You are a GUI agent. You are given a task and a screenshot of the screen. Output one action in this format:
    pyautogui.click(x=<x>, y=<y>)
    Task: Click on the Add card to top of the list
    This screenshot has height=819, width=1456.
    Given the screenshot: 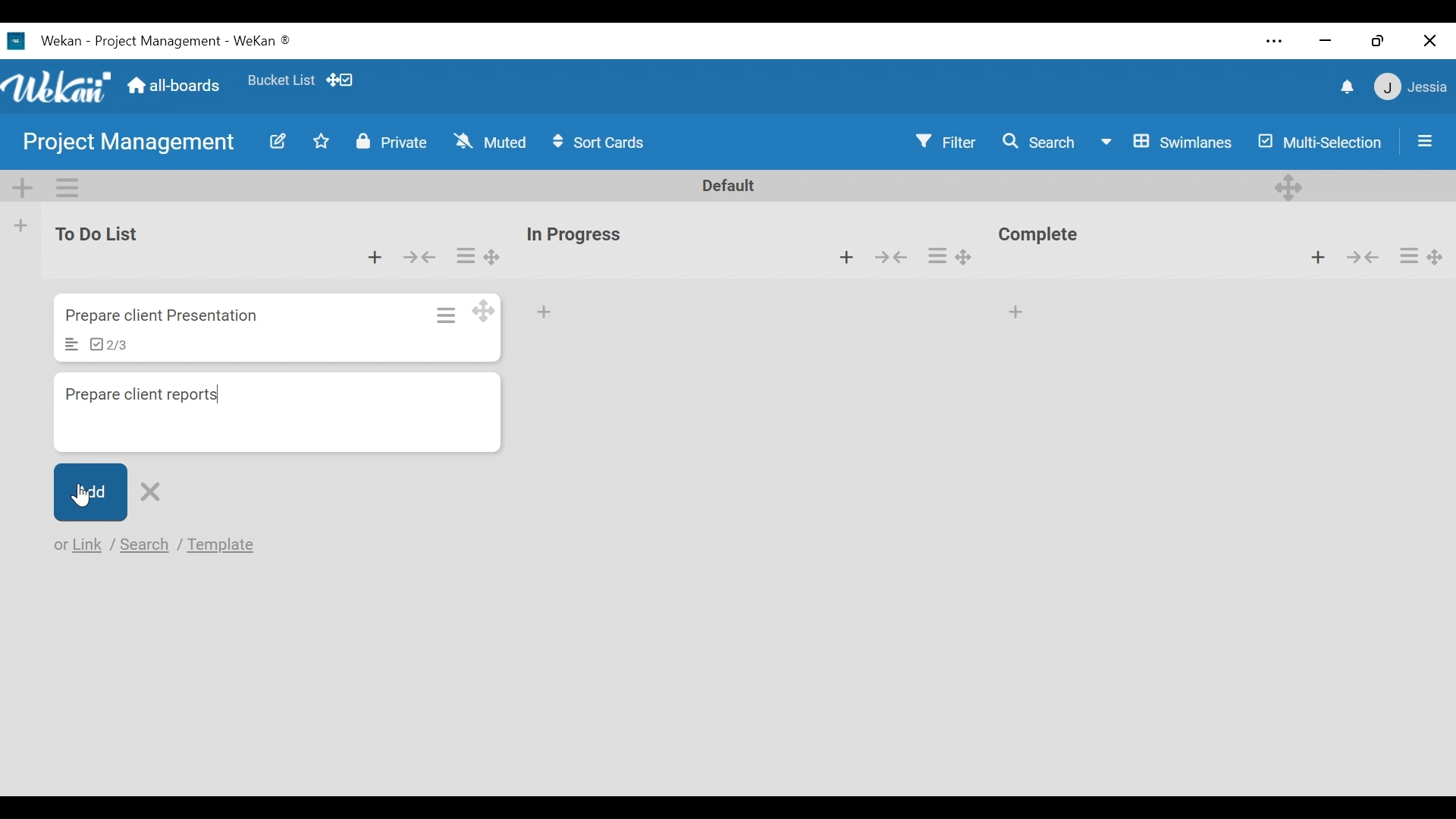 What is the action you would take?
    pyautogui.click(x=1321, y=258)
    